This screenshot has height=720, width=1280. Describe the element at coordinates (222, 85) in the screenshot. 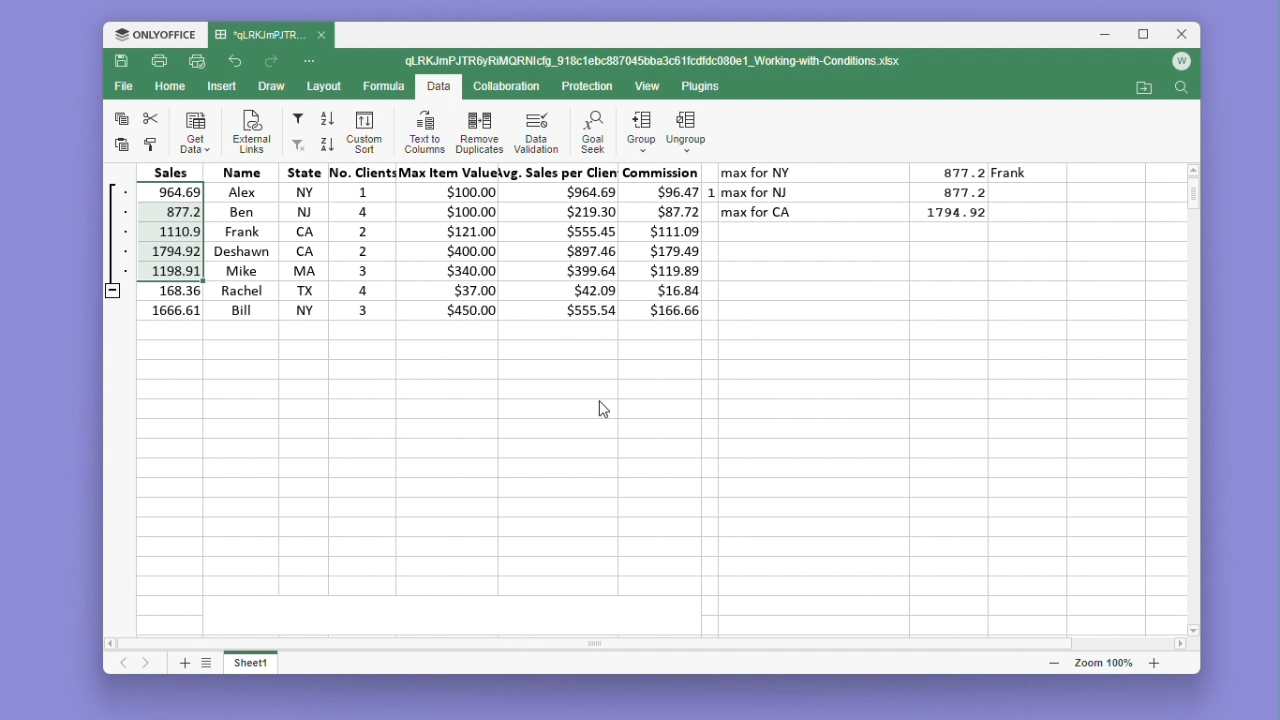

I see `Insert` at that location.